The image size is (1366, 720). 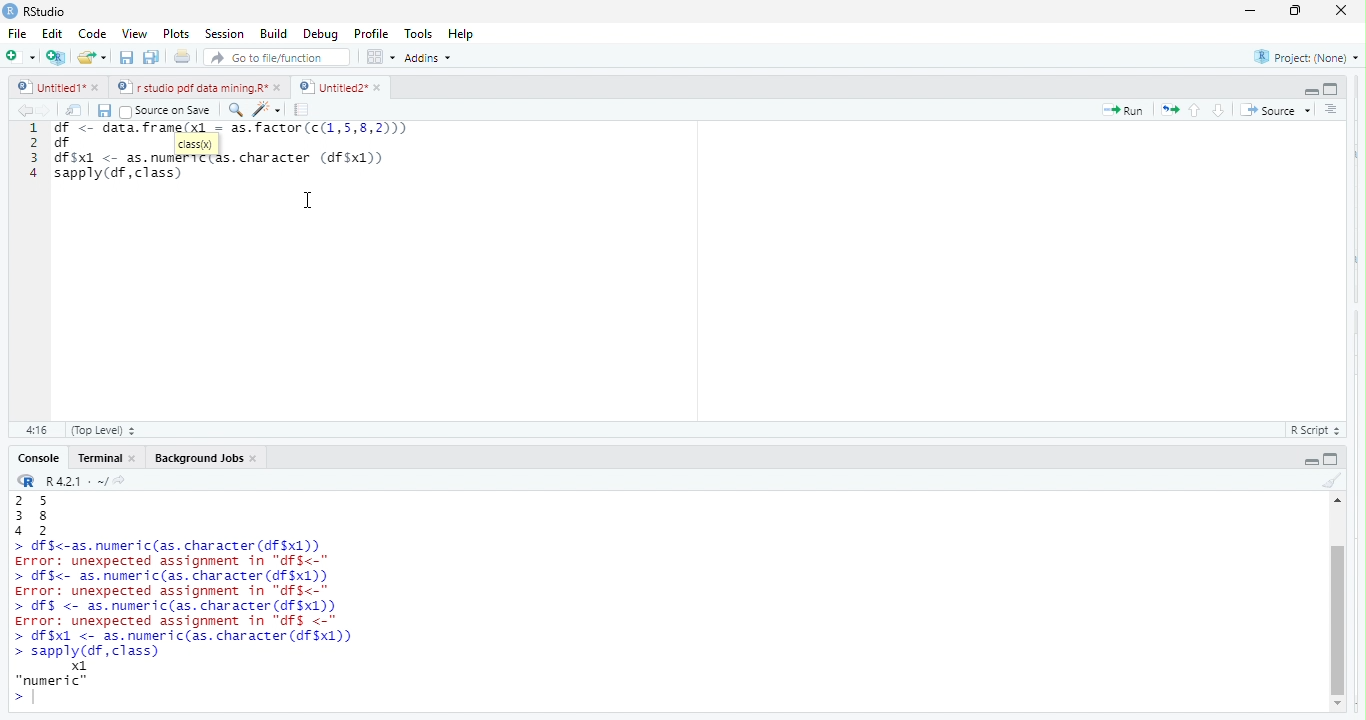 I want to click on options, so click(x=381, y=56).